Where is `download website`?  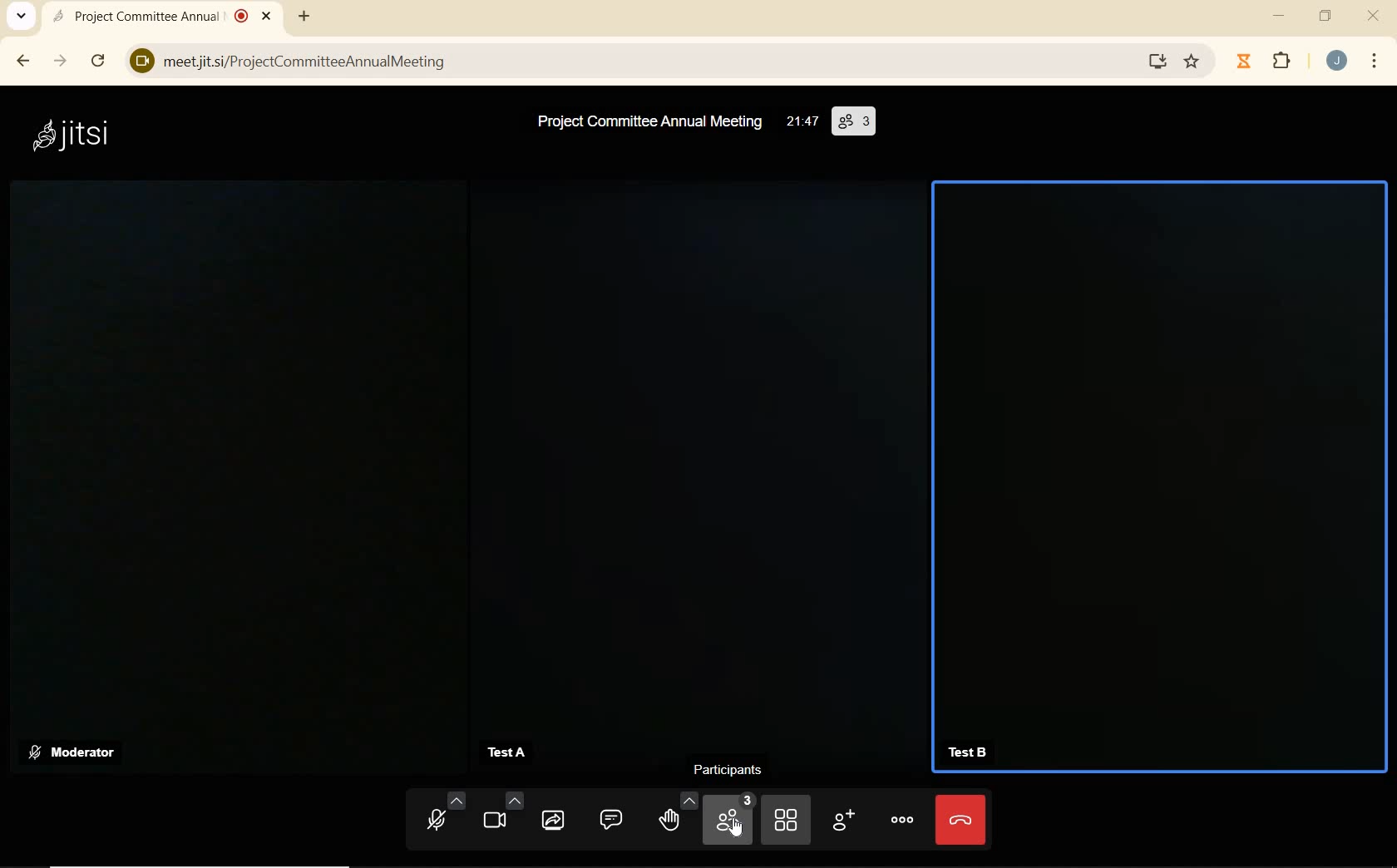
download website is located at coordinates (1159, 60).